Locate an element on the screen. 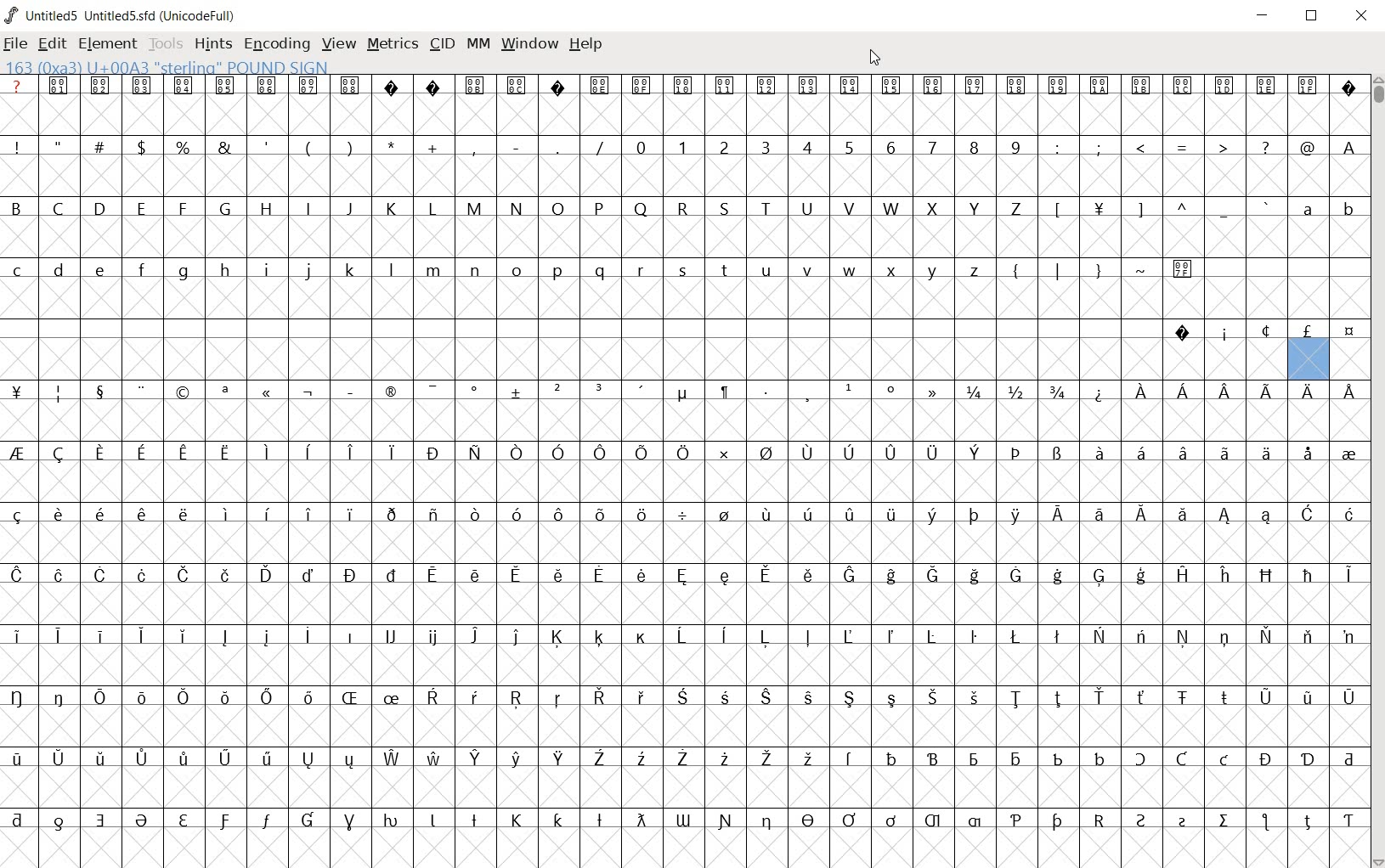 This screenshot has width=1385, height=868. Symbol is located at coordinates (1347, 332).